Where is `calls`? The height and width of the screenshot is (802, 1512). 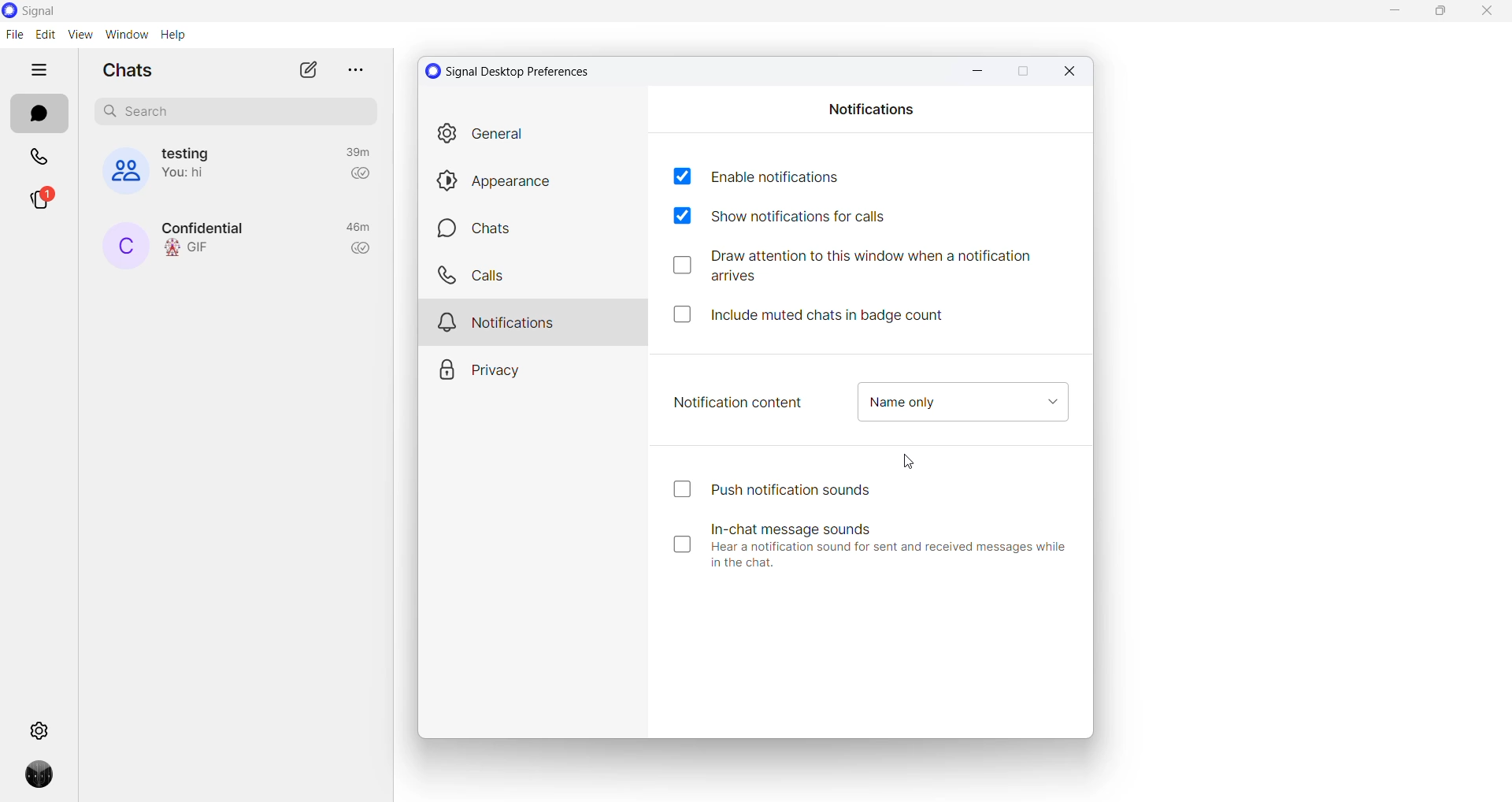 calls is located at coordinates (535, 275).